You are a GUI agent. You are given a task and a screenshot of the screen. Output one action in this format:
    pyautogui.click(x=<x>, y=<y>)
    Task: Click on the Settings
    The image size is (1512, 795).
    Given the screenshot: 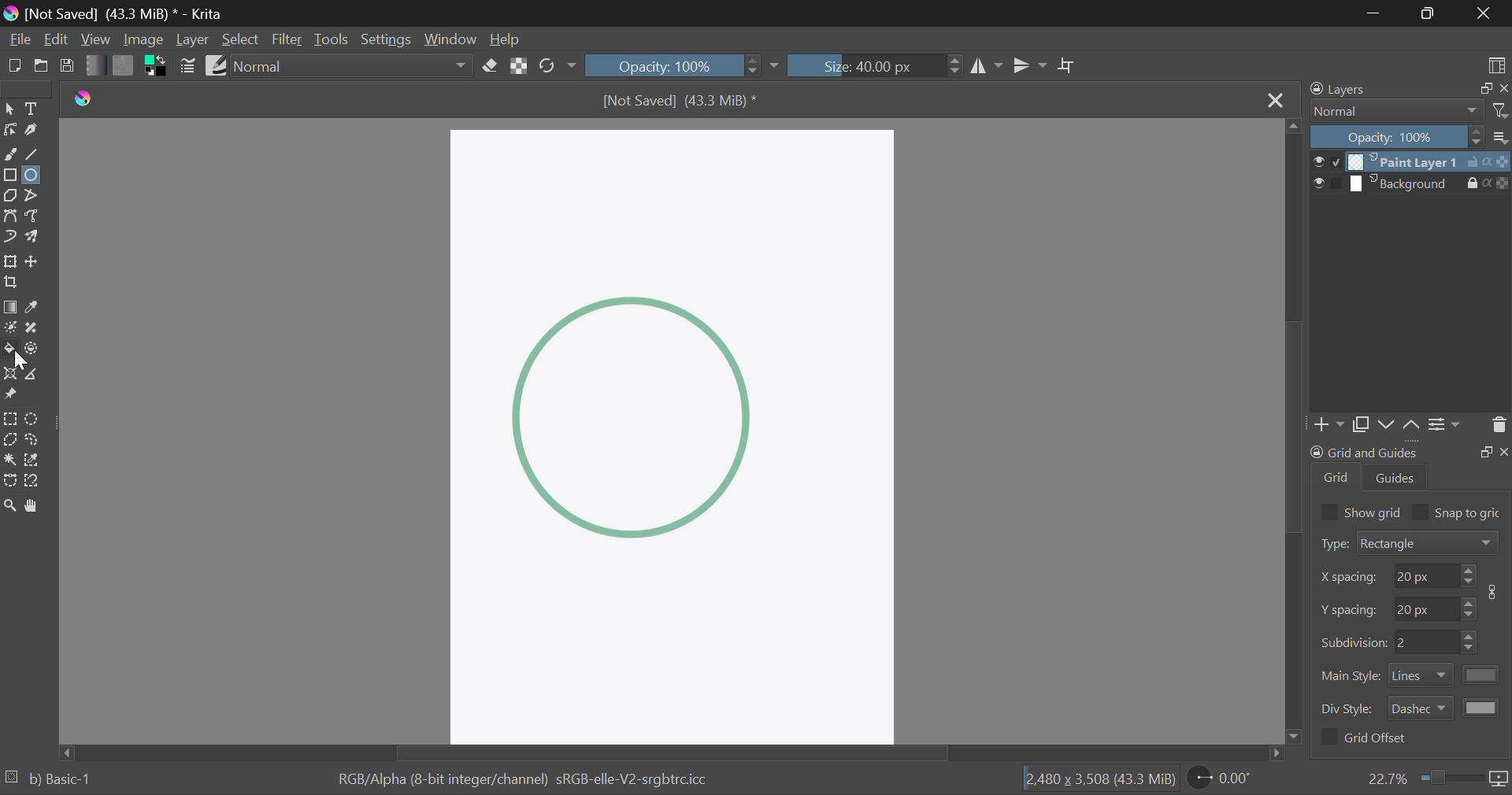 What is the action you would take?
    pyautogui.click(x=1447, y=429)
    